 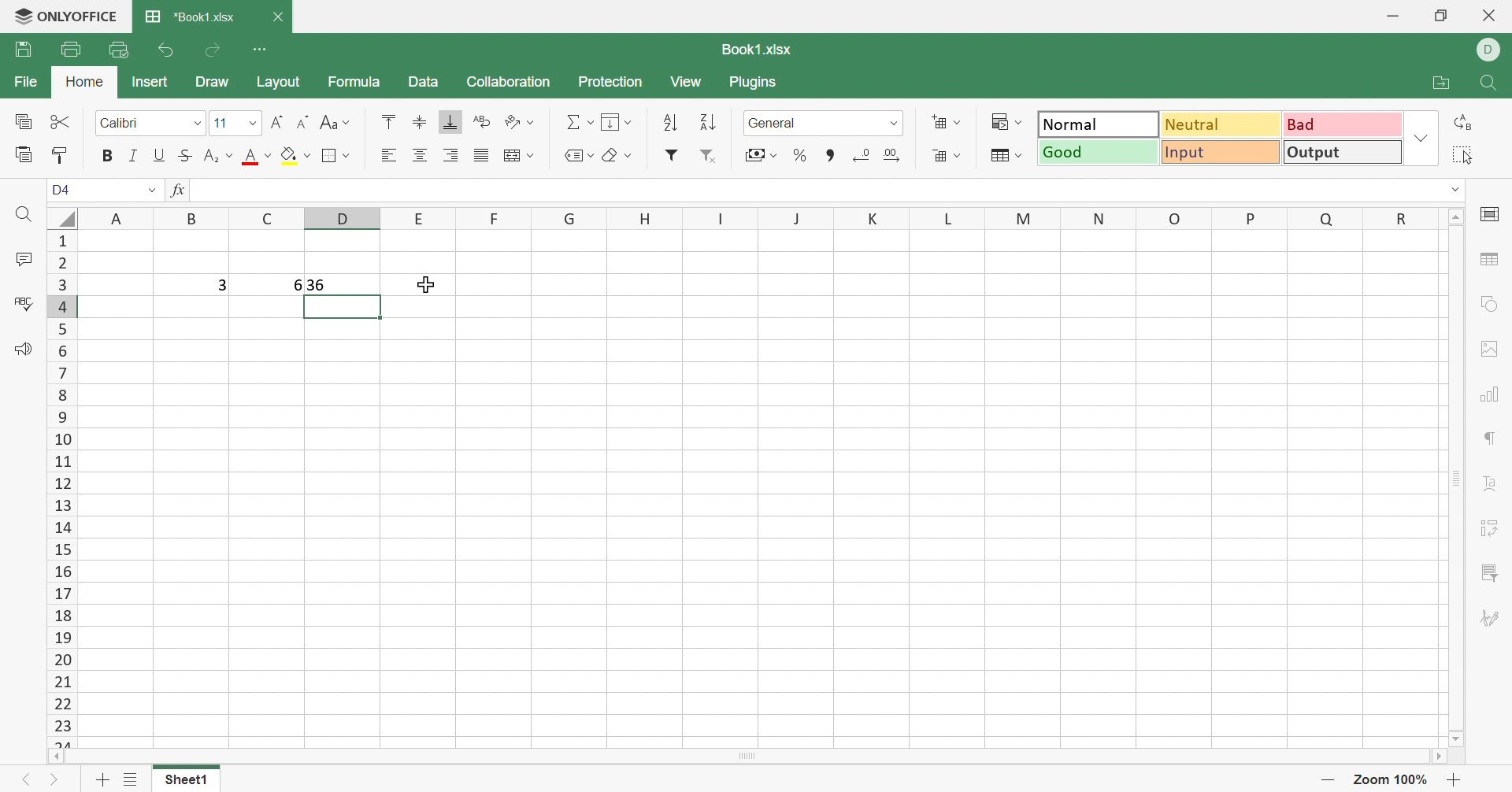 What do you see at coordinates (619, 154) in the screenshot?
I see `Clear` at bounding box center [619, 154].